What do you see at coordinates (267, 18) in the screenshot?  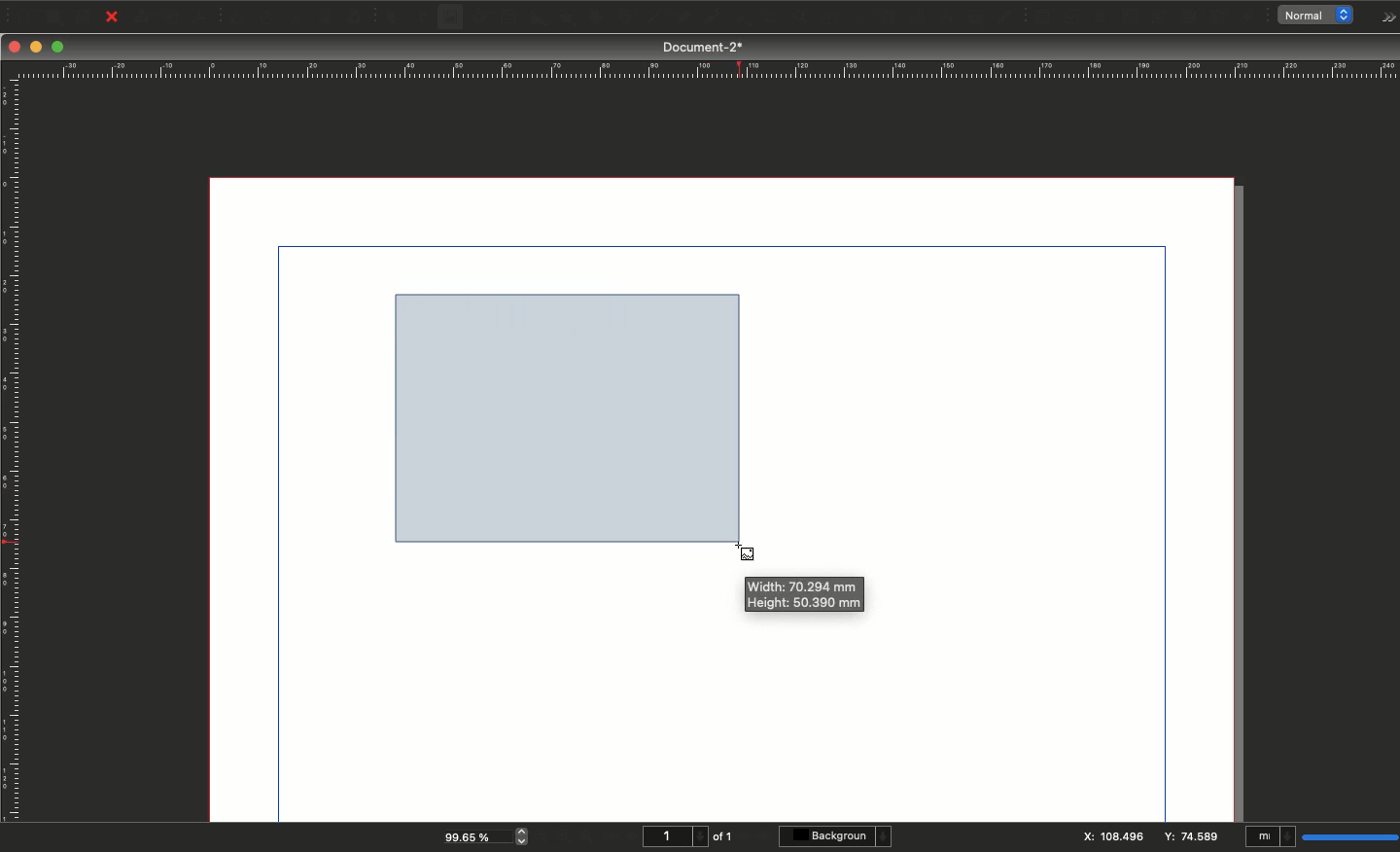 I see `Redo` at bounding box center [267, 18].